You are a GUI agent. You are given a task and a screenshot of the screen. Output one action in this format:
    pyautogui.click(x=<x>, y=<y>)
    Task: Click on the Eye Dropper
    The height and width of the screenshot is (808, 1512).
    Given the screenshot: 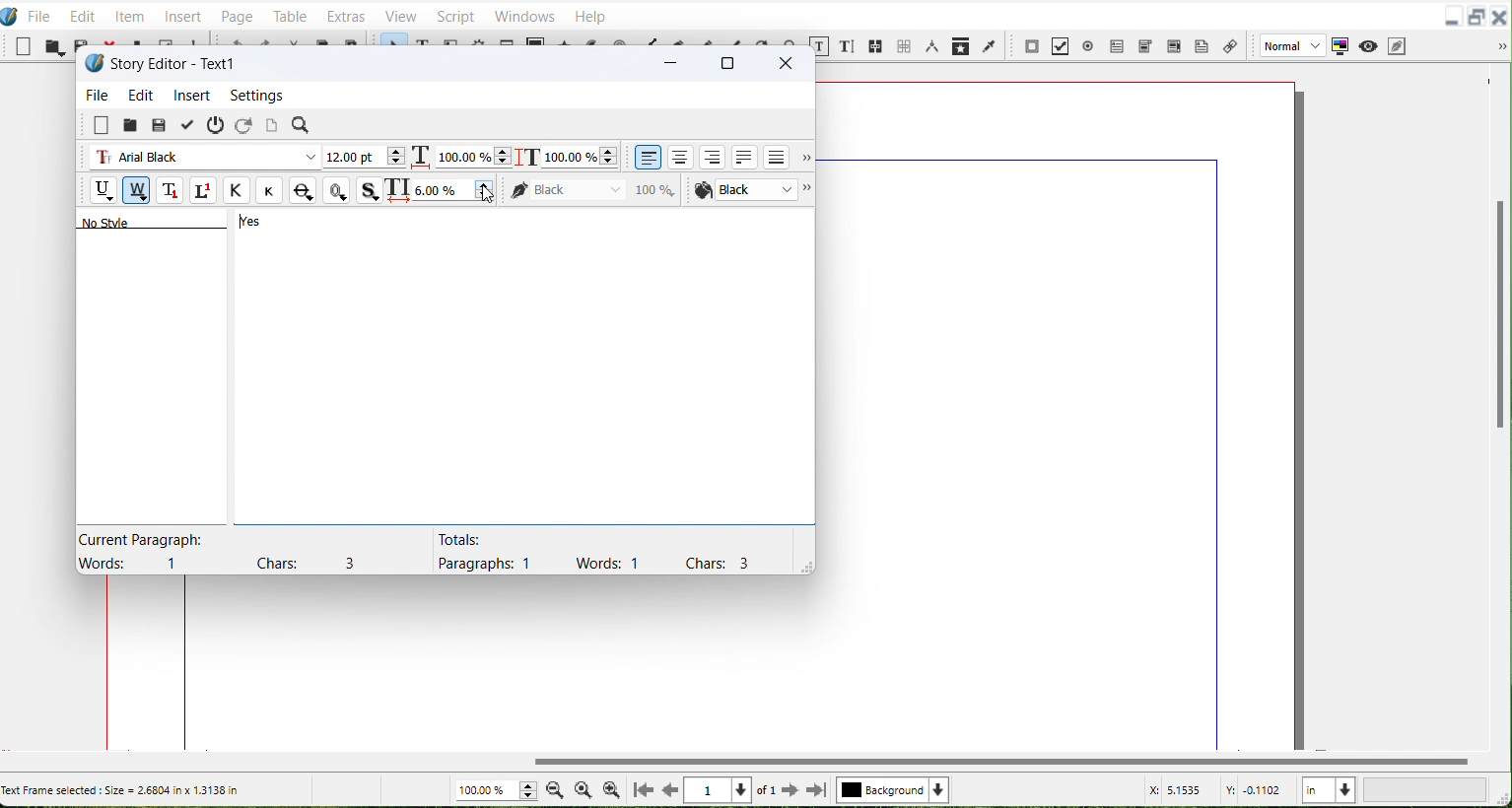 What is the action you would take?
    pyautogui.click(x=991, y=44)
    